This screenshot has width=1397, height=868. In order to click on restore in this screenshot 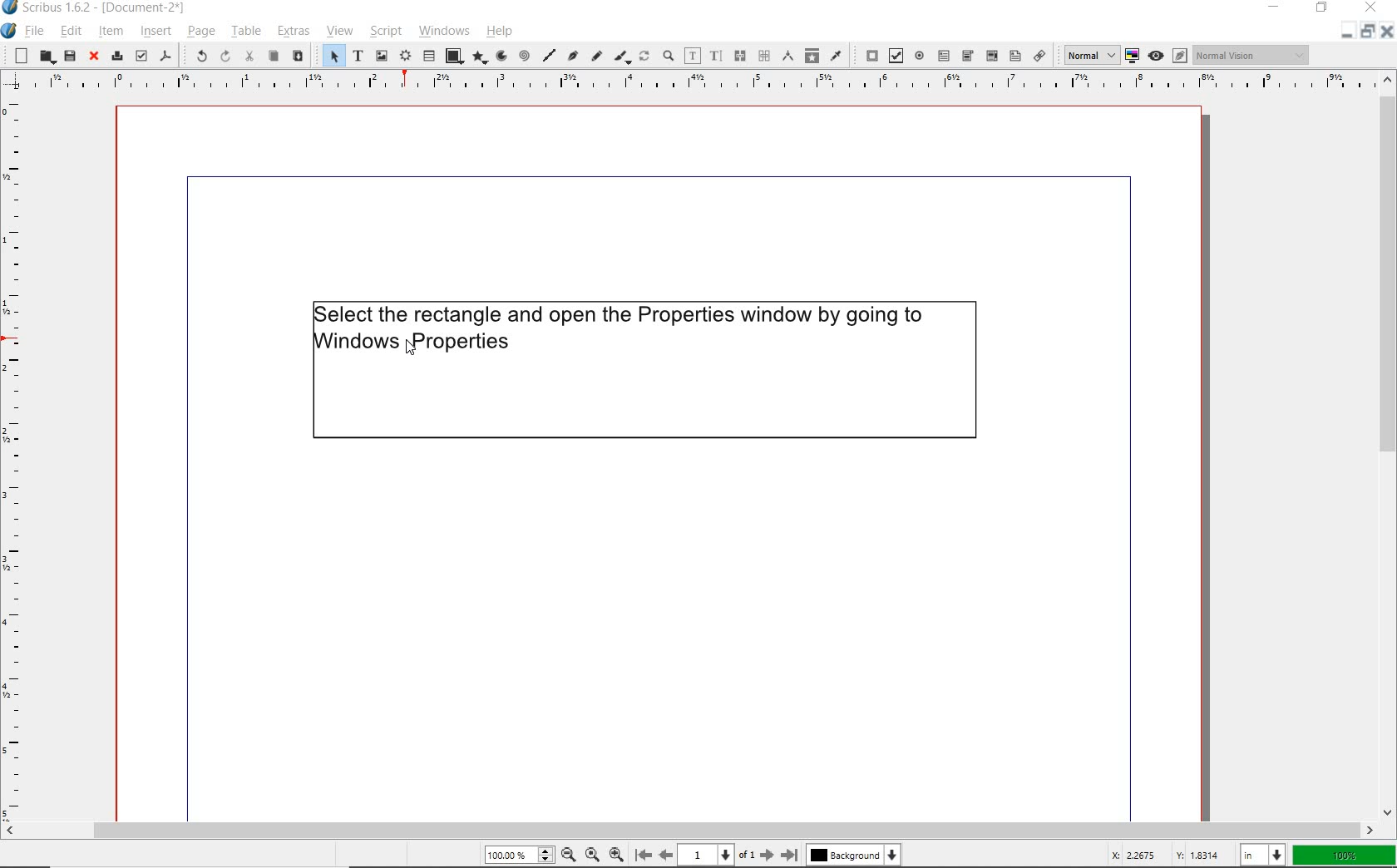, I will do `click(1322, 9)`.